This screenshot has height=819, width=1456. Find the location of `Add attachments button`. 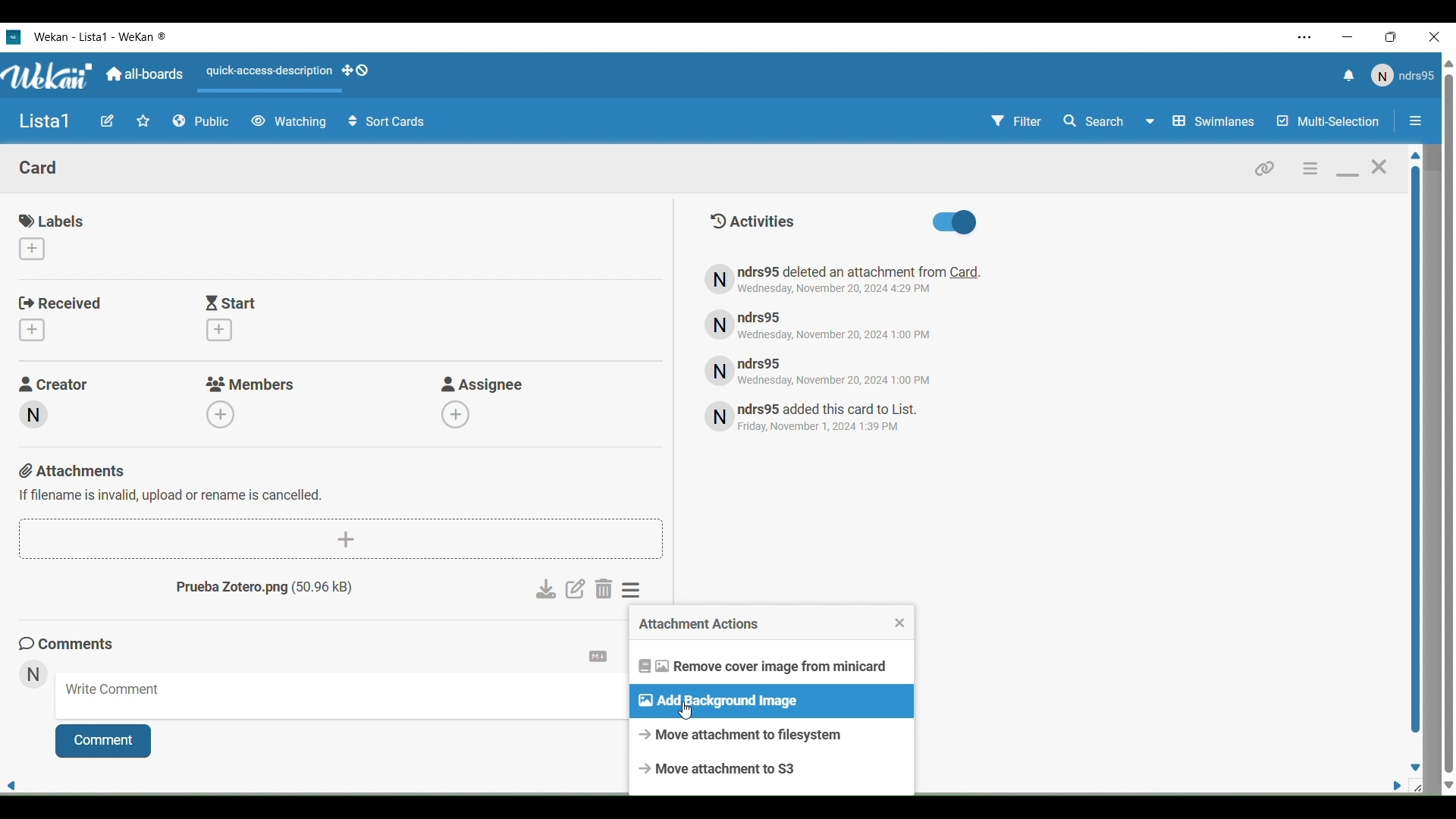

Add attachments button is located at coordinates (344, 540).